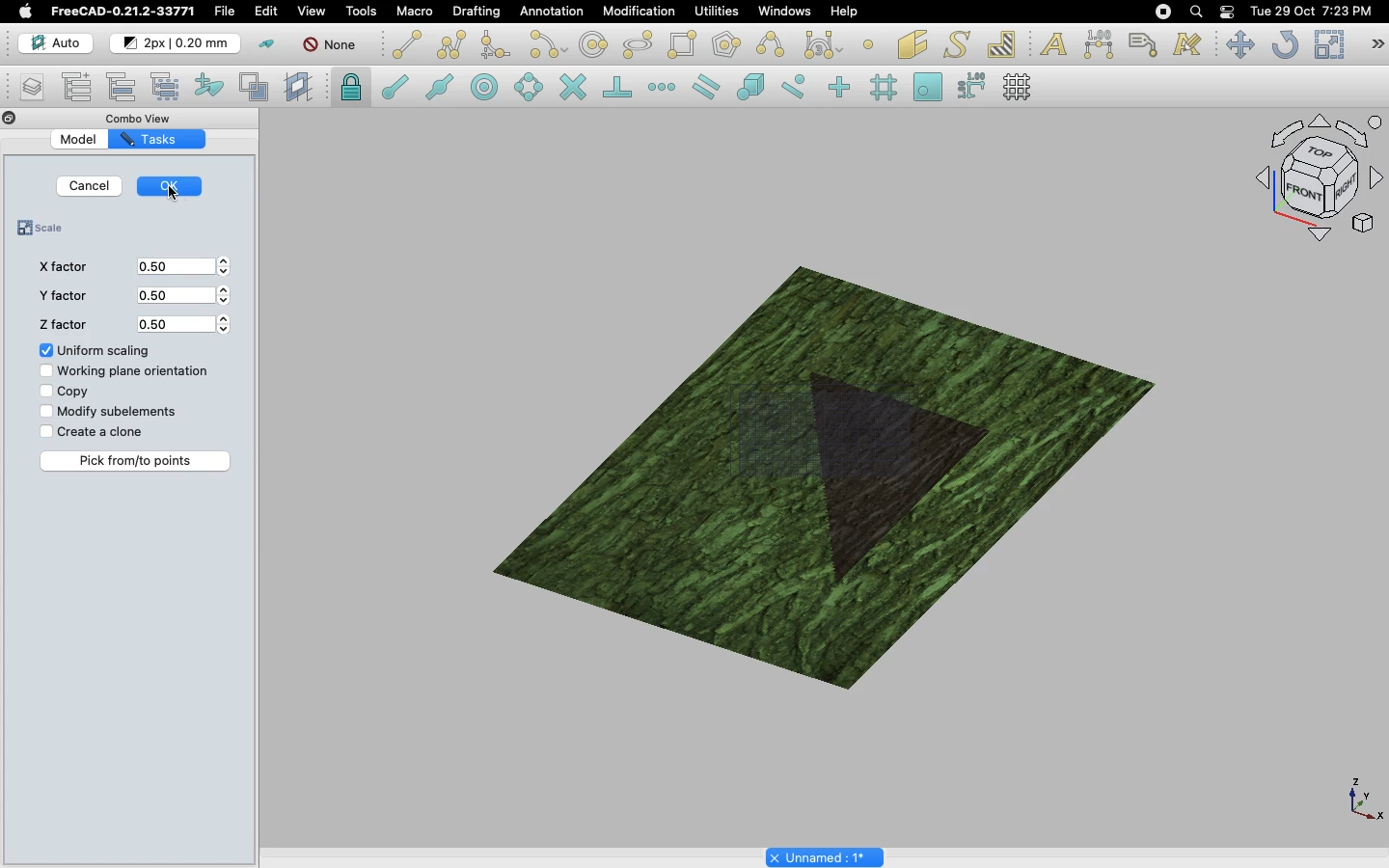 This screenshot has width=1389, height=868. Describe the element at coordinates (782, 12) in the screenshot. I see `Windows` at that location.